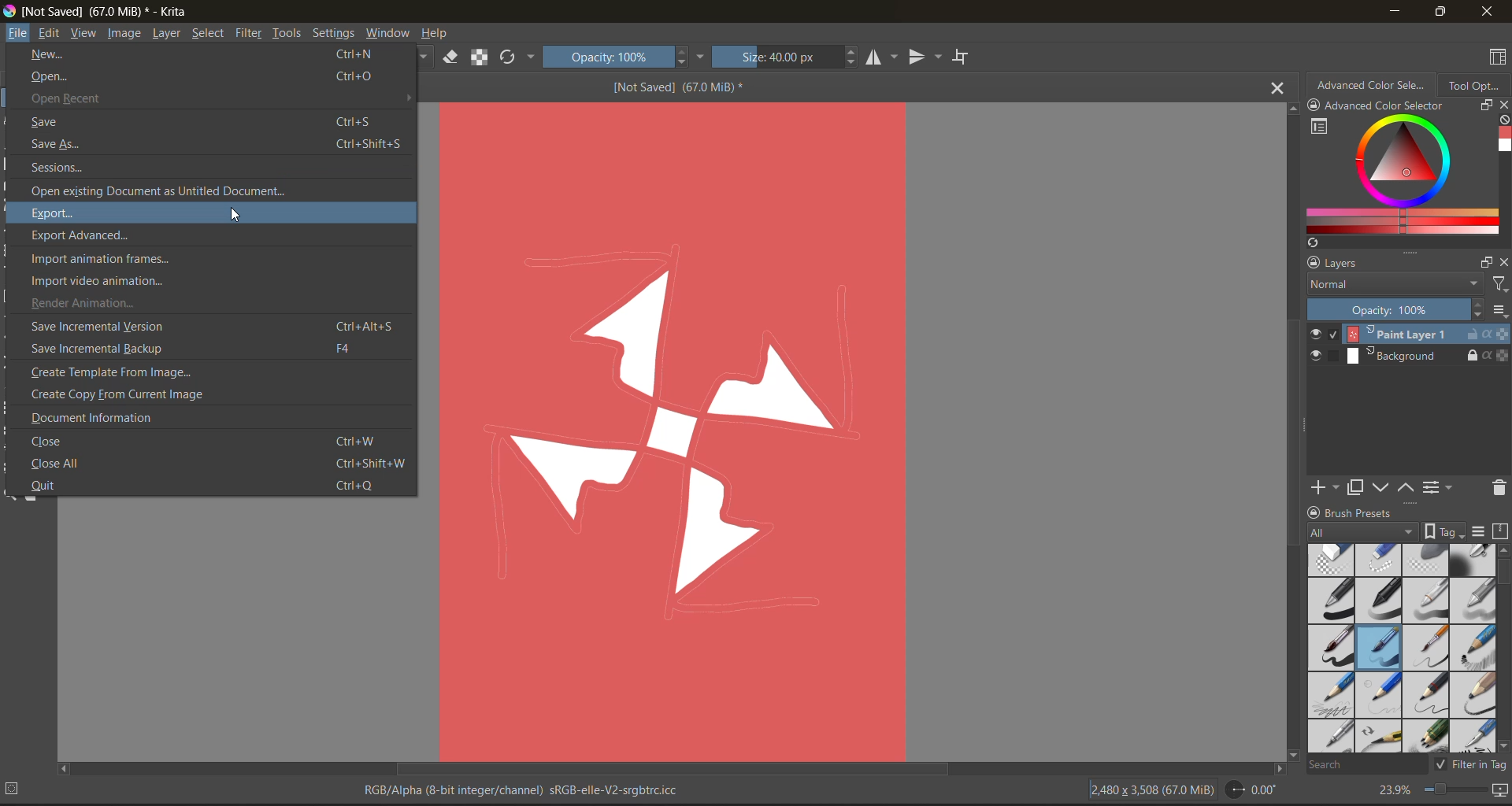 Image resolution: width=1512 pixels, height=806 pixels. I want to click on normal, so click(1396, 289).